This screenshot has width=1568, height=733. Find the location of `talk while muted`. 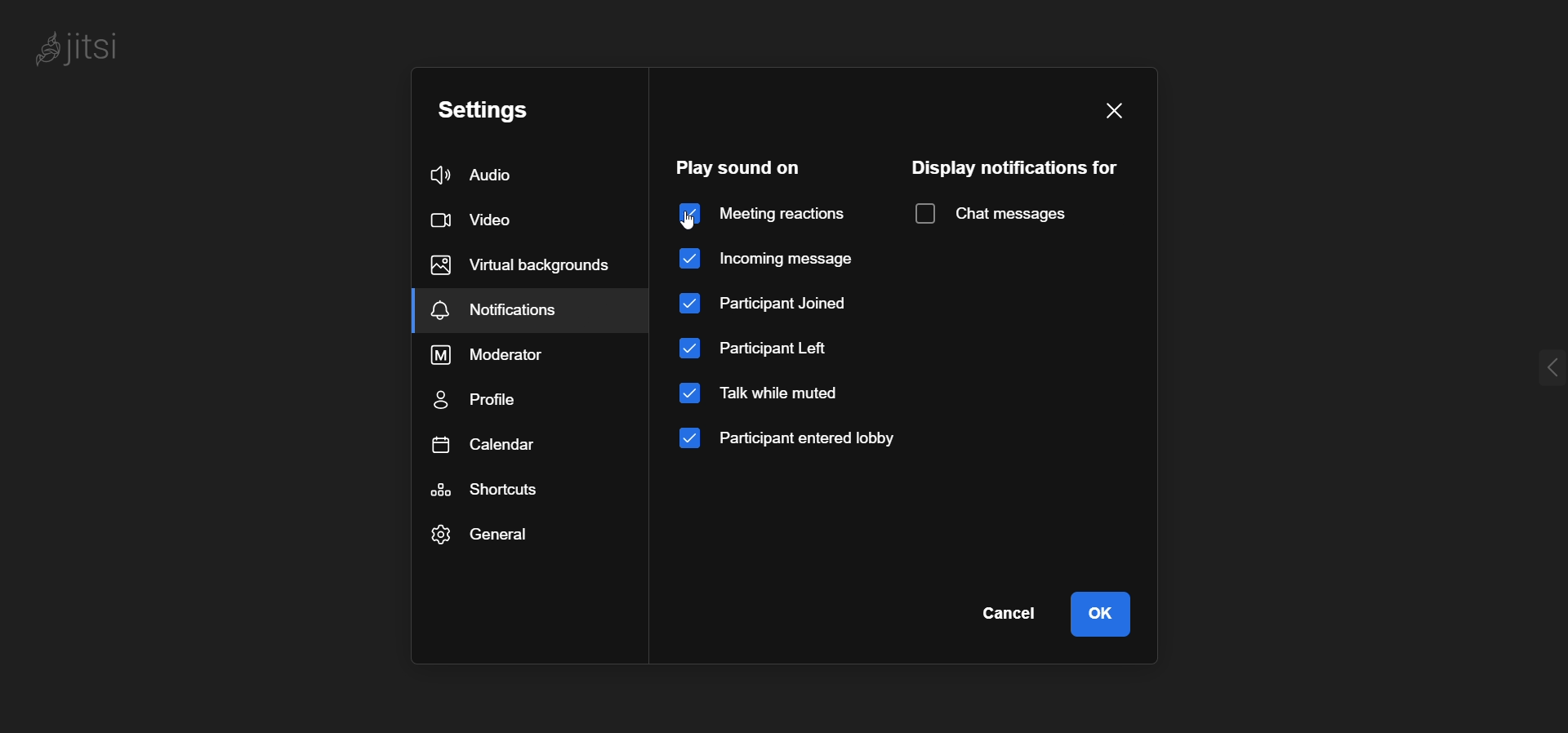

talk while muted is located at coordinates (766, 395).